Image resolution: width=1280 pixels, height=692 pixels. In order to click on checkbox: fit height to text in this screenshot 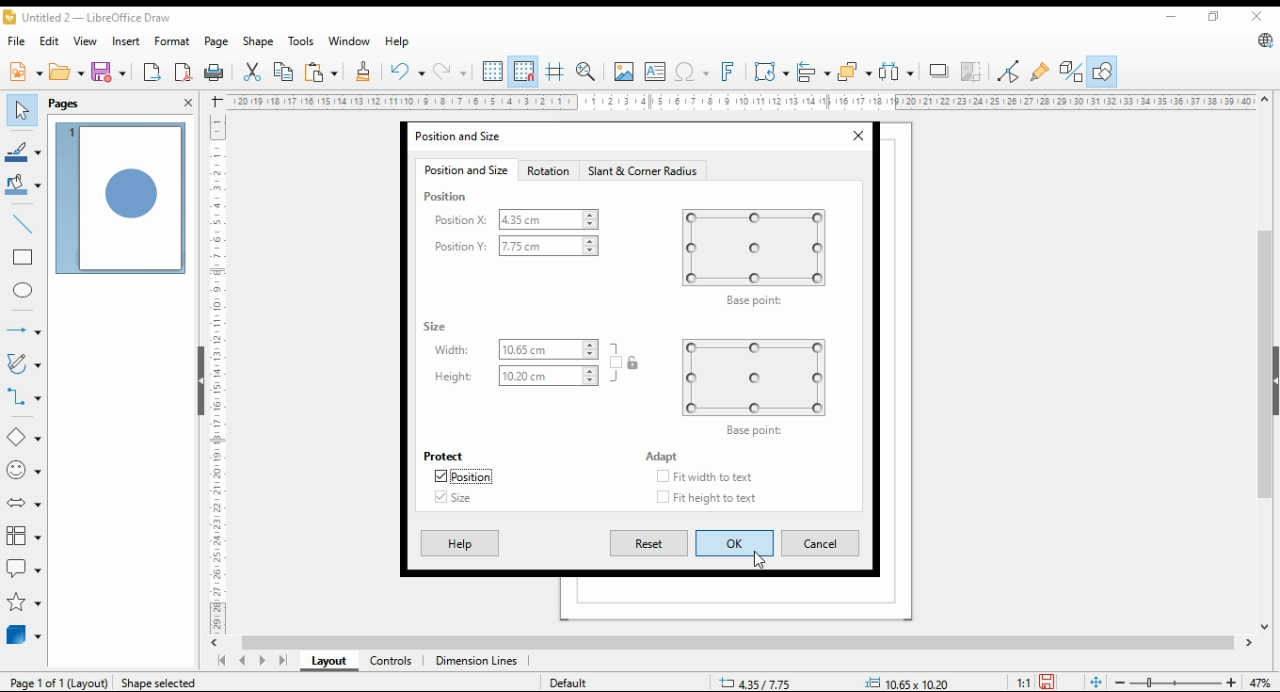, I will do `click(711, 499)`.